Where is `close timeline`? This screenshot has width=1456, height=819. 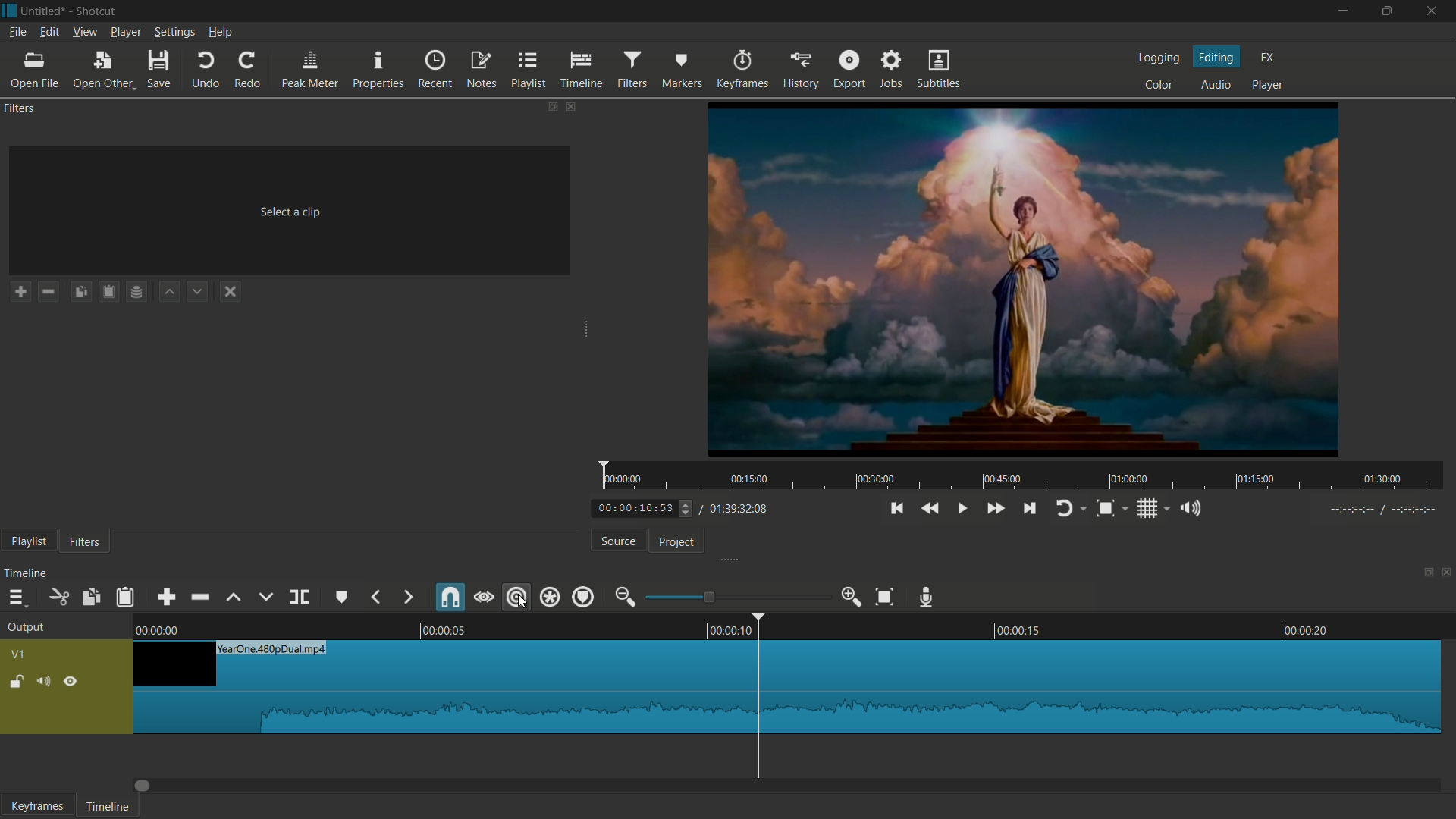
close timeline is located at coordinates (1447, 572).